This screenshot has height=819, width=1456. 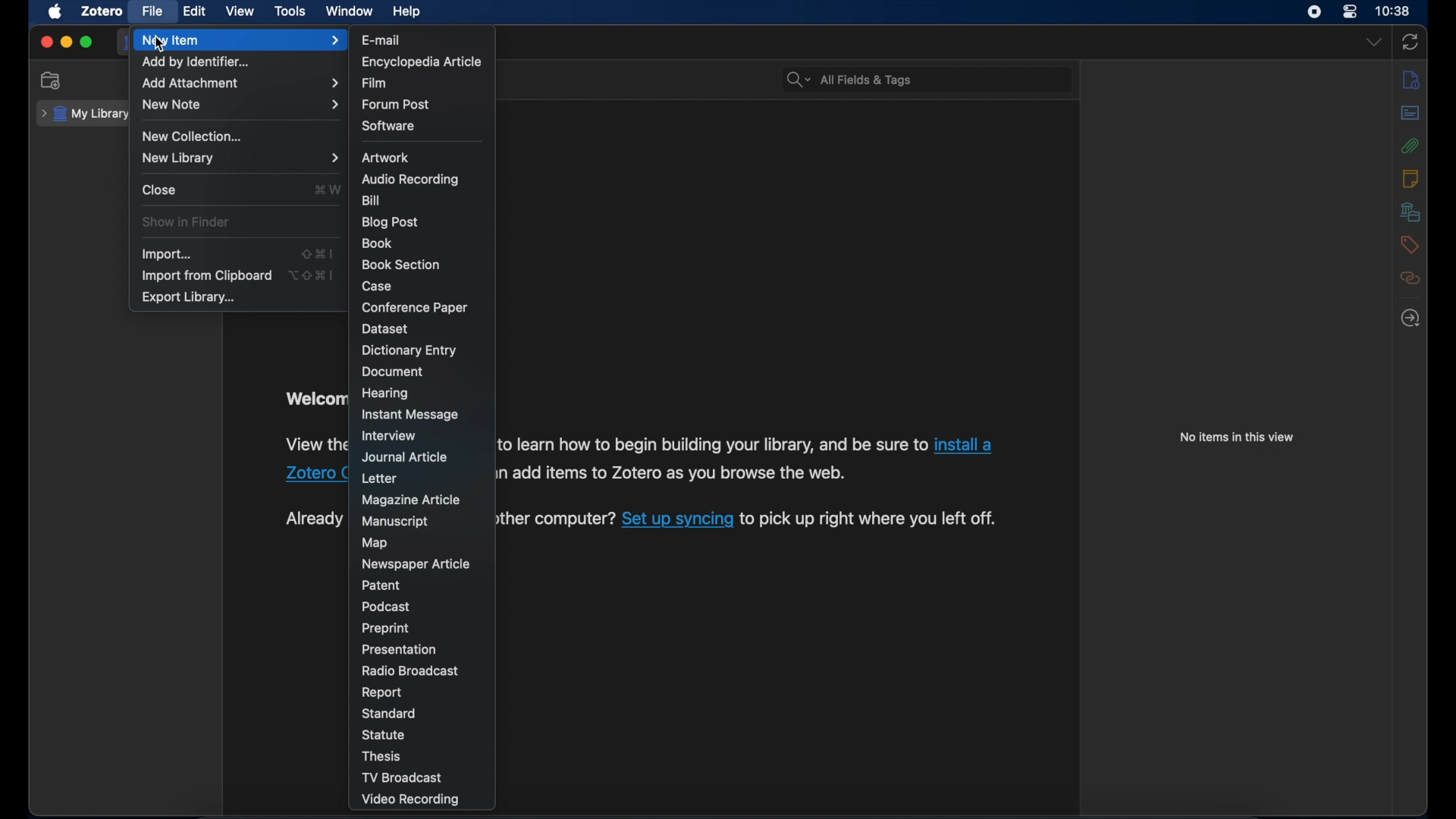 What do you see at coordinates (52, 80) in the screenshot?
I see `new collection` at bounding box center [52, 80].